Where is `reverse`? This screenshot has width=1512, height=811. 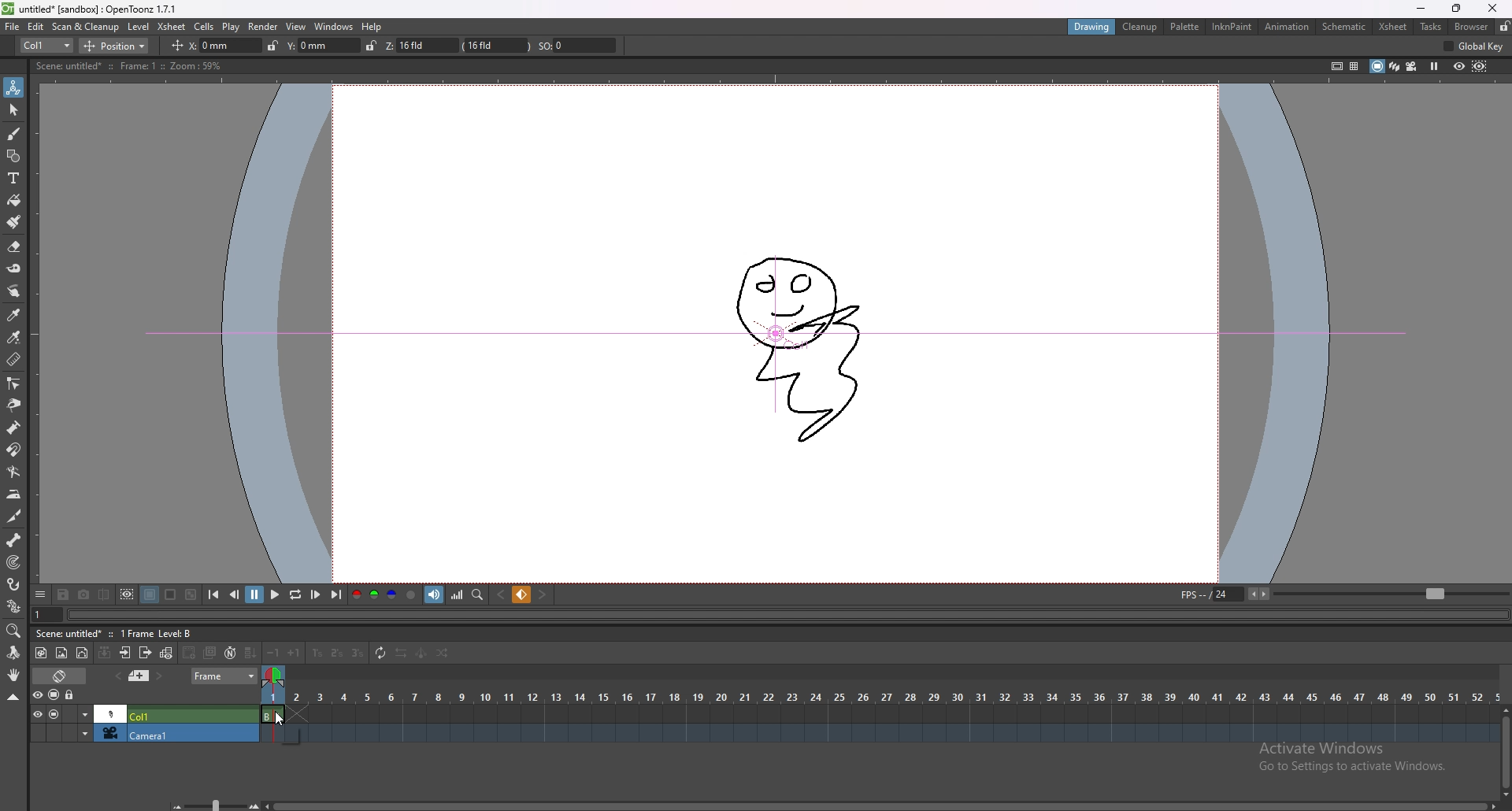
reverse is located at coordinates (399, 653).